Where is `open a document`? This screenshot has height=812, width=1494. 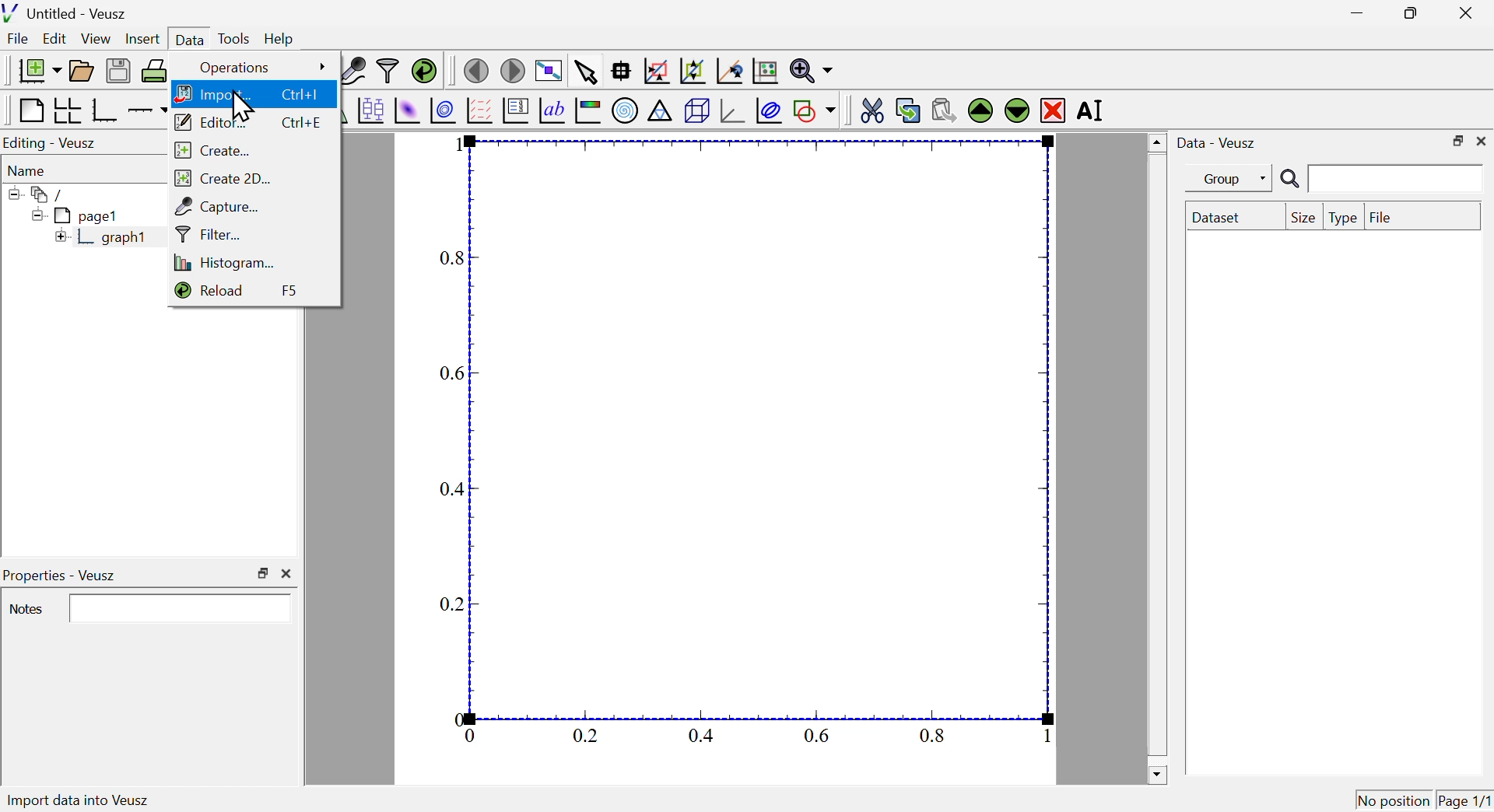 open a document is located at coordinates (83, 69).